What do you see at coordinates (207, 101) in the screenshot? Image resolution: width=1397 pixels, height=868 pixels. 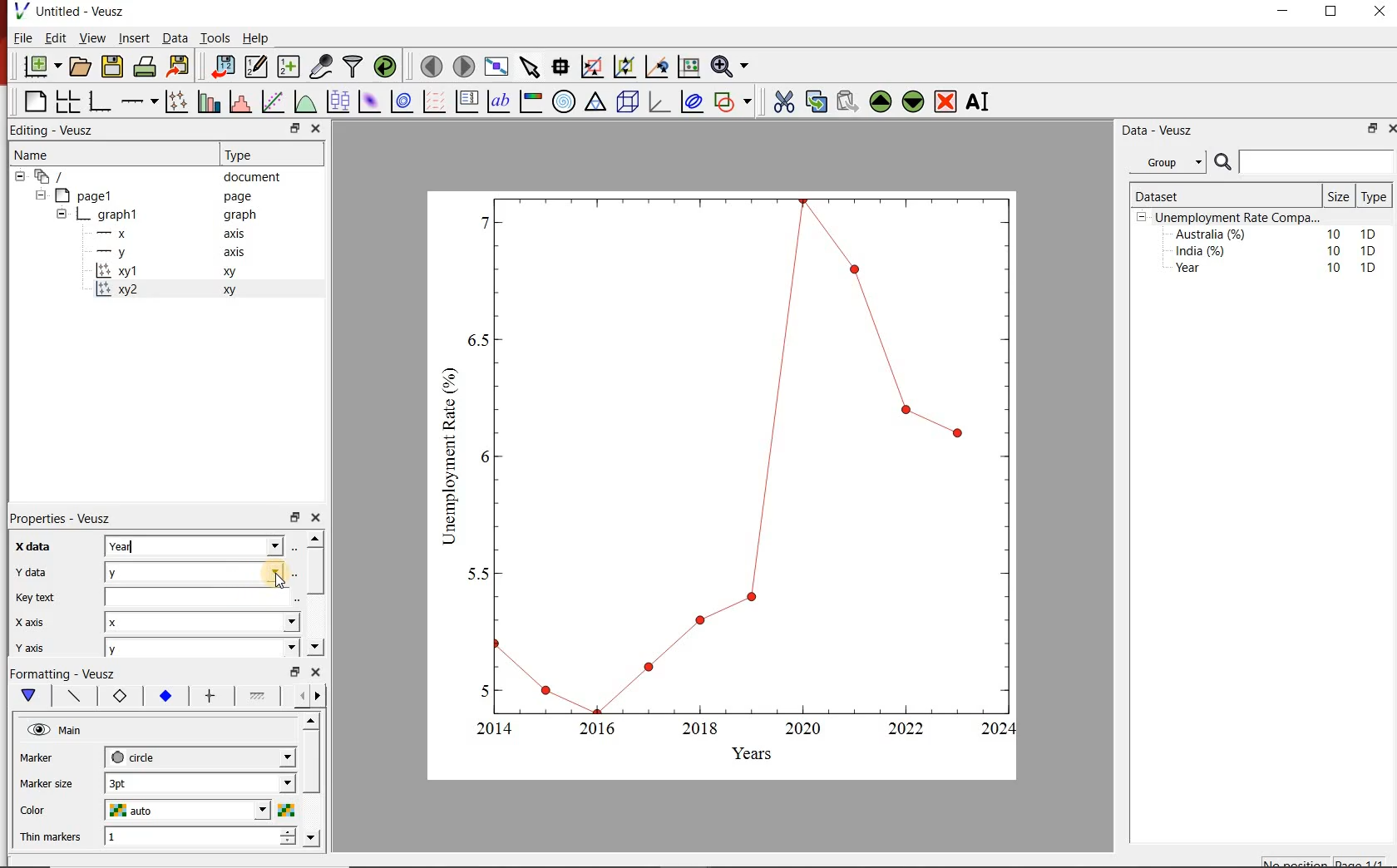 I see `bar graphs` at bounding box center [207, 101].